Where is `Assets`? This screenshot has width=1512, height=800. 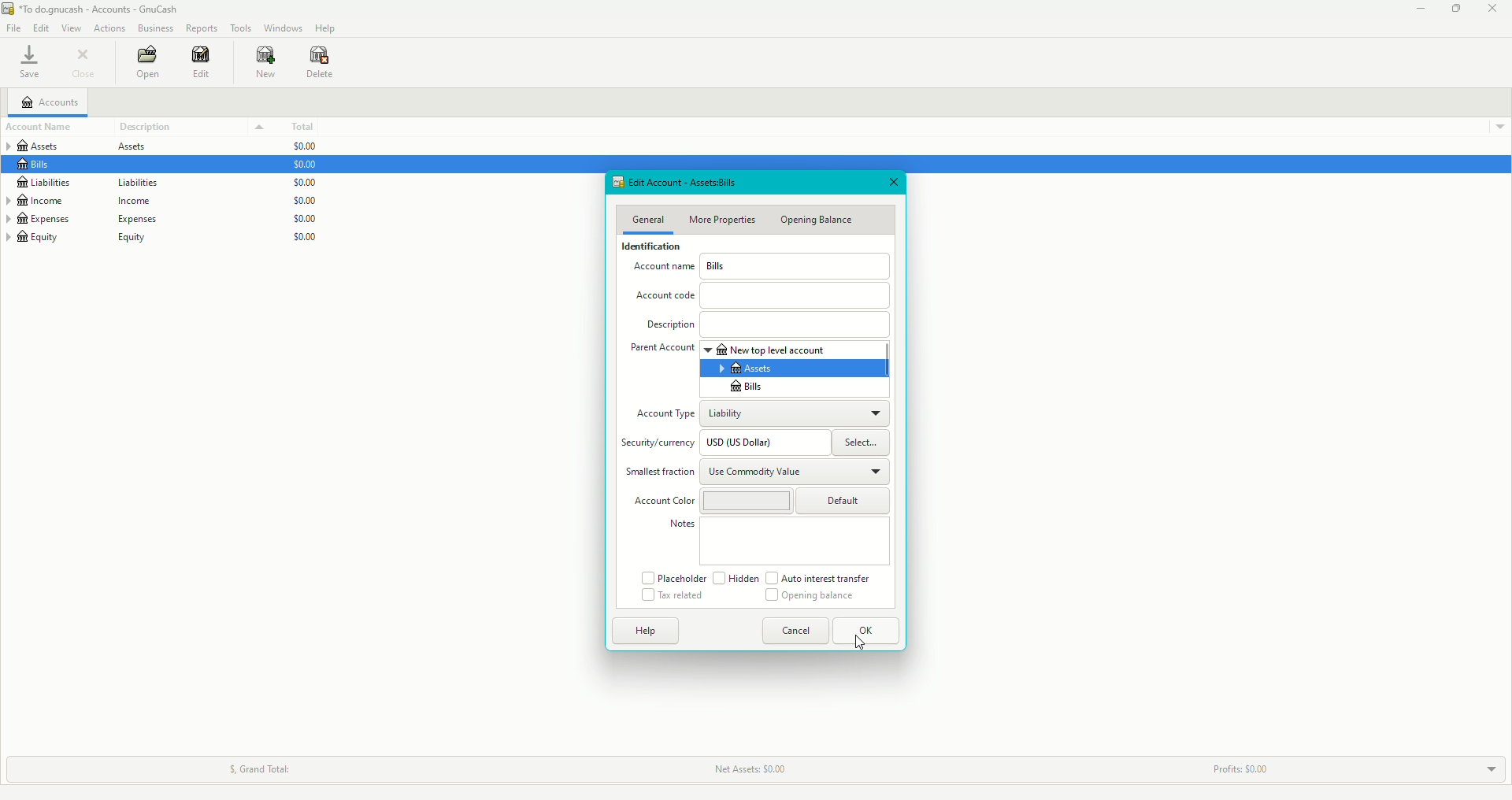 Assets is located at coordinates (748, 369).